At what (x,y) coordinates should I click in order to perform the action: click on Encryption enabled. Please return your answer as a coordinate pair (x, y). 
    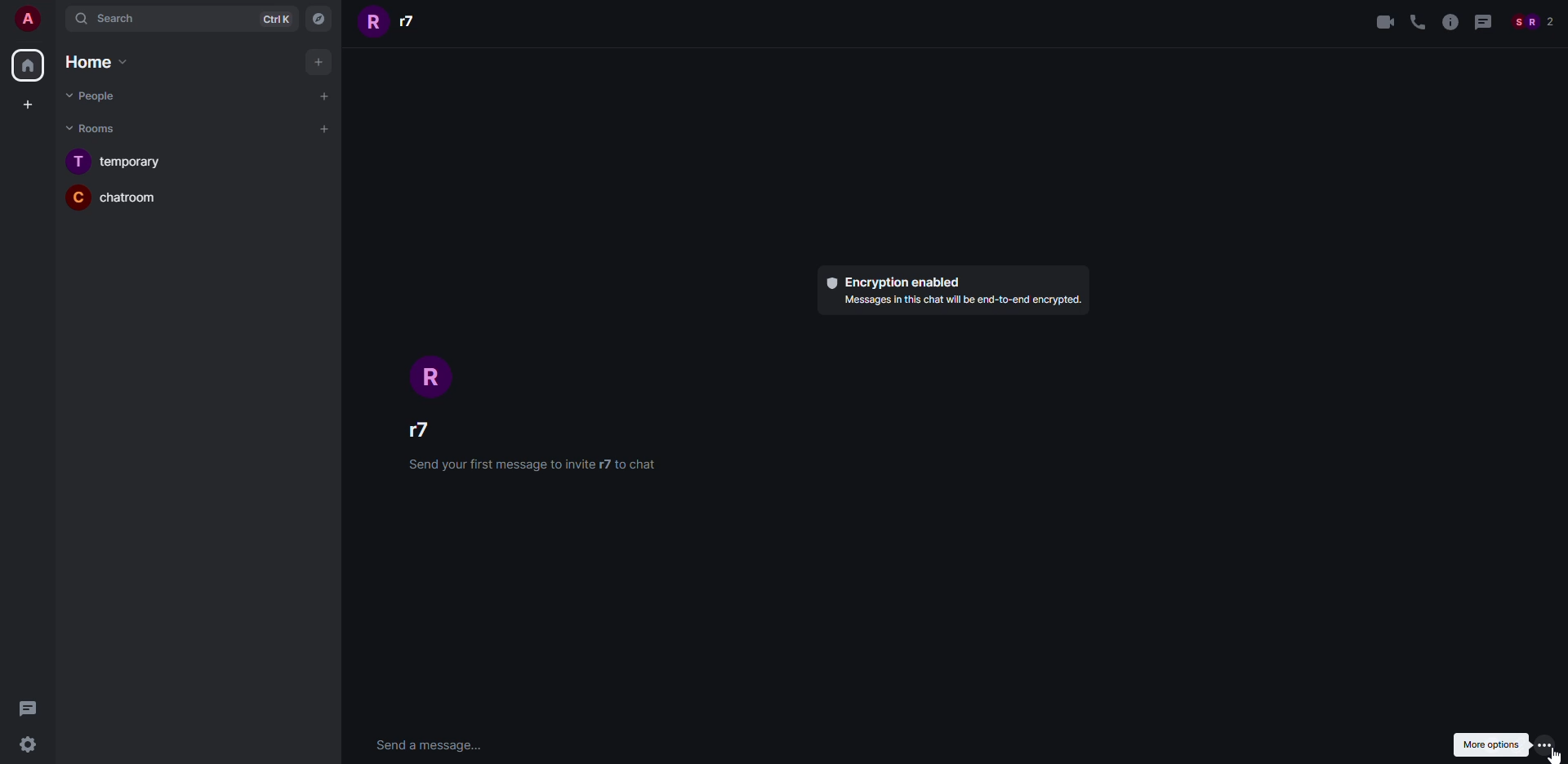
    Looking at the image, I should click on (893, 282).